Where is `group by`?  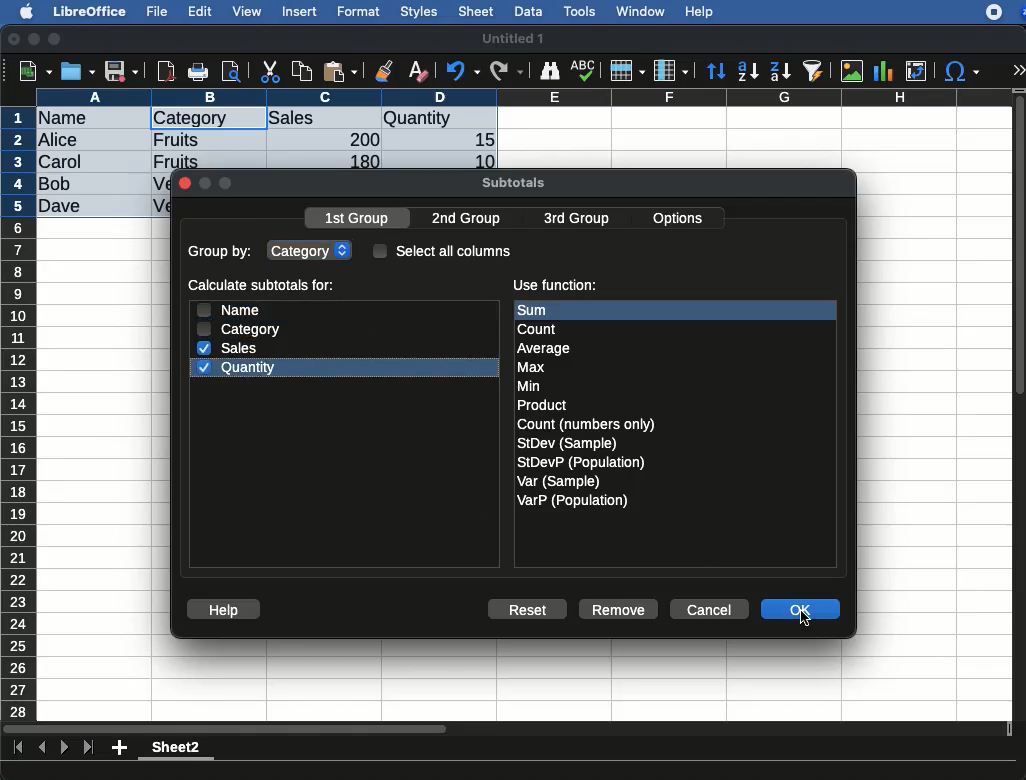 group by is located at coordinates (222, 253).